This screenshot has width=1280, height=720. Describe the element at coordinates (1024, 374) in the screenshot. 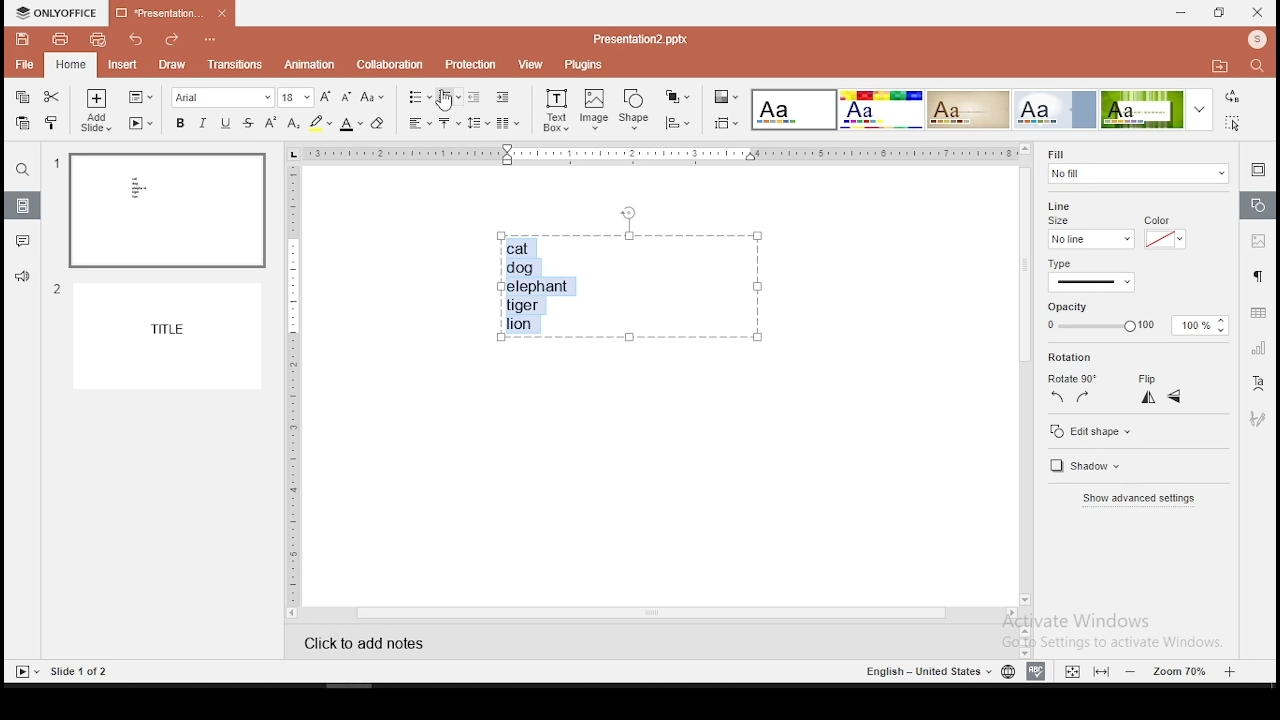

I see `scroll bar` at that location.